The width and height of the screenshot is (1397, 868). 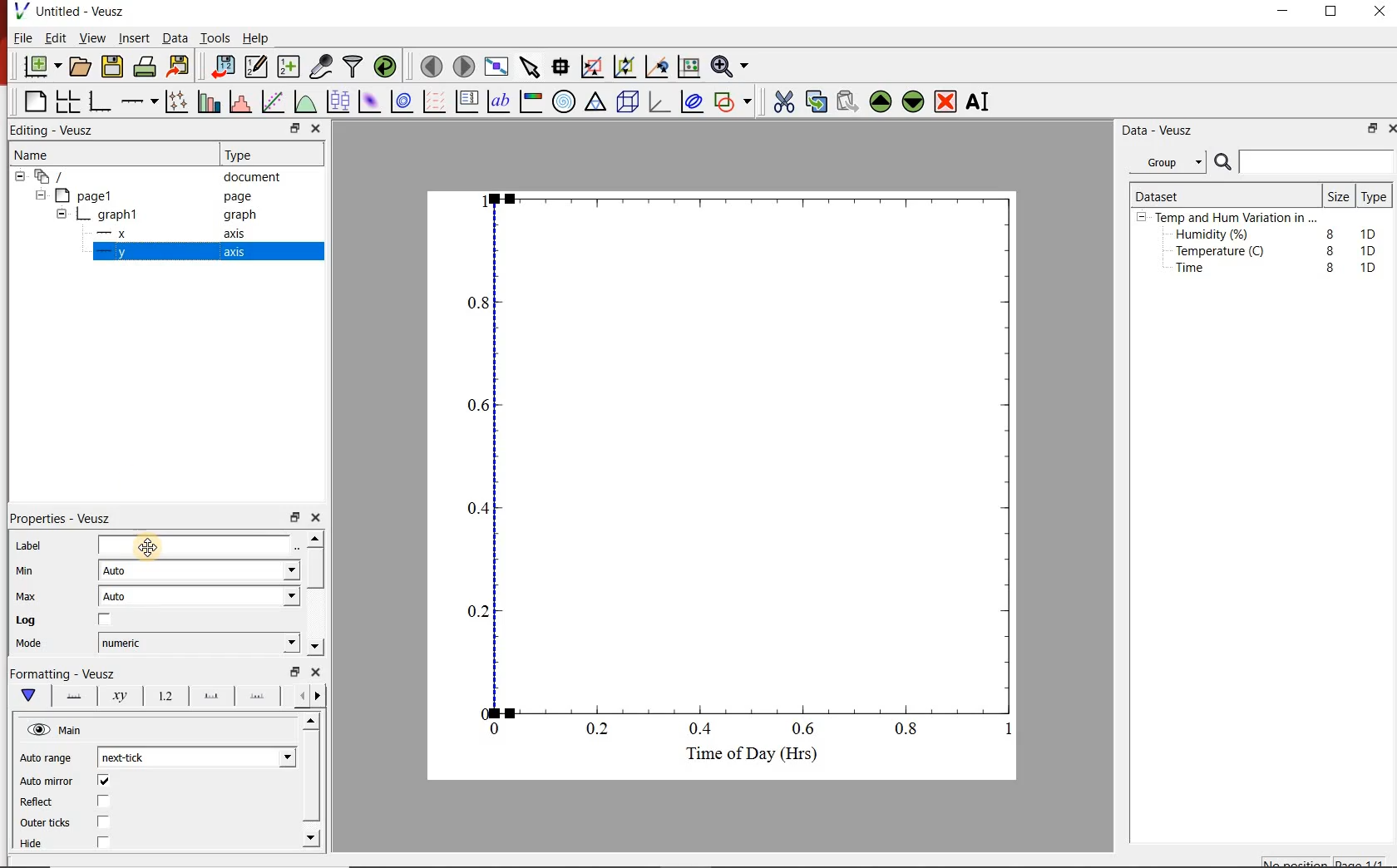 What do you see at coordinates (625, 68) in the screenshot?
I see `click to zoom out of graph axes` at bounding box center [625, 68].